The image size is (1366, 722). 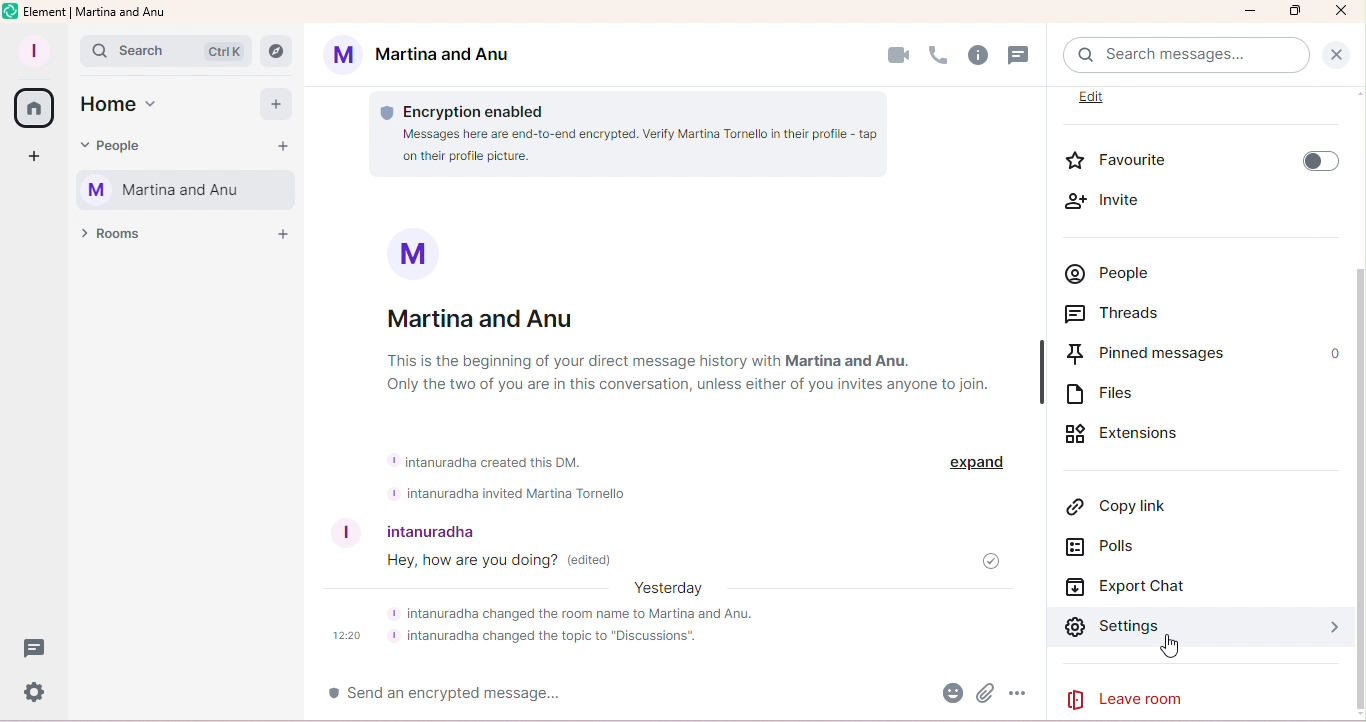 What do you see at coordinates (402, 253) in the screenshot?
I see `Information` at bounding box center [402, 253].